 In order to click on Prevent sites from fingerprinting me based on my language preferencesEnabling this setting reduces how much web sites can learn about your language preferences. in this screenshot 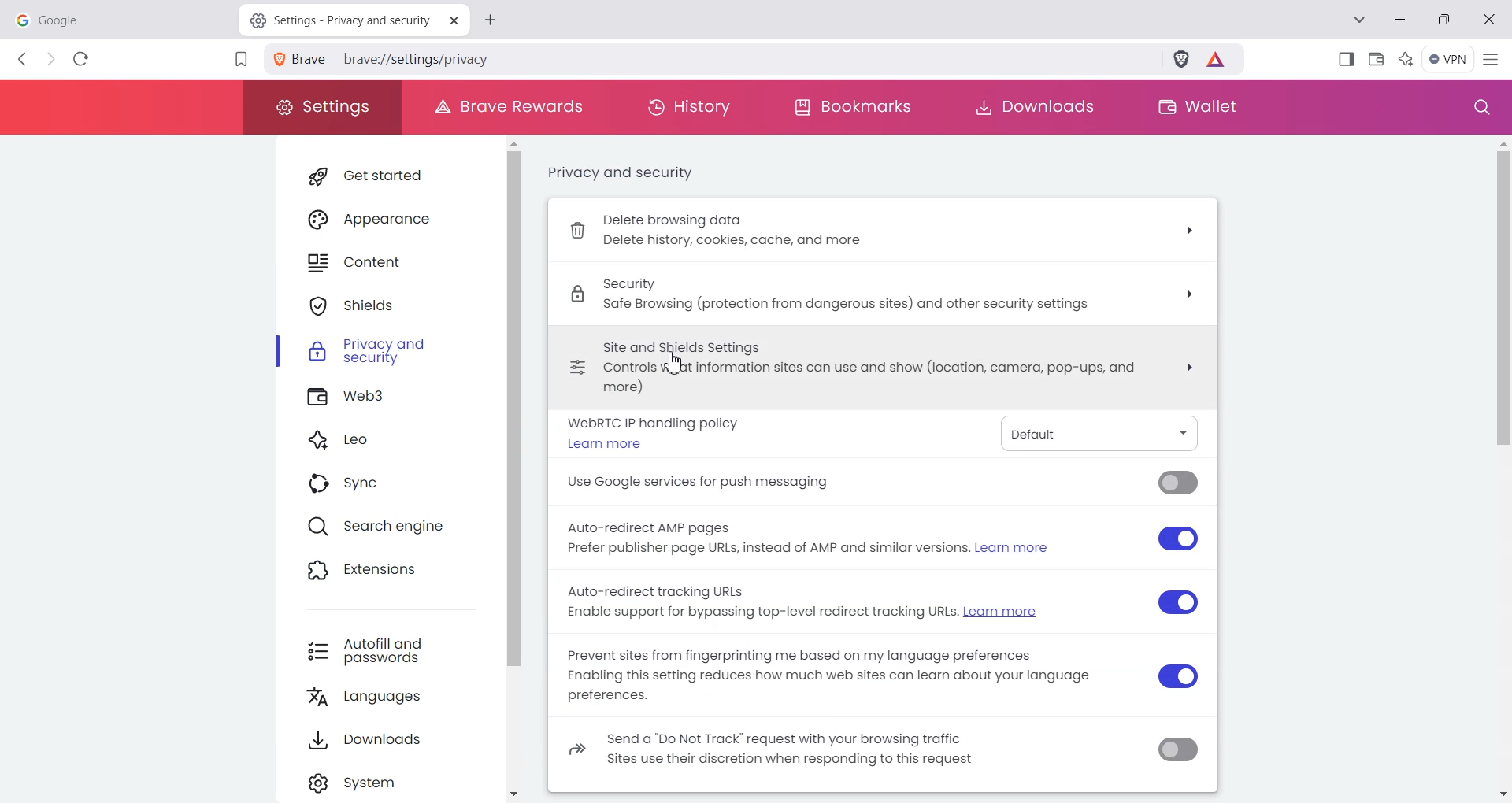, I will do `click(831, 678)`.